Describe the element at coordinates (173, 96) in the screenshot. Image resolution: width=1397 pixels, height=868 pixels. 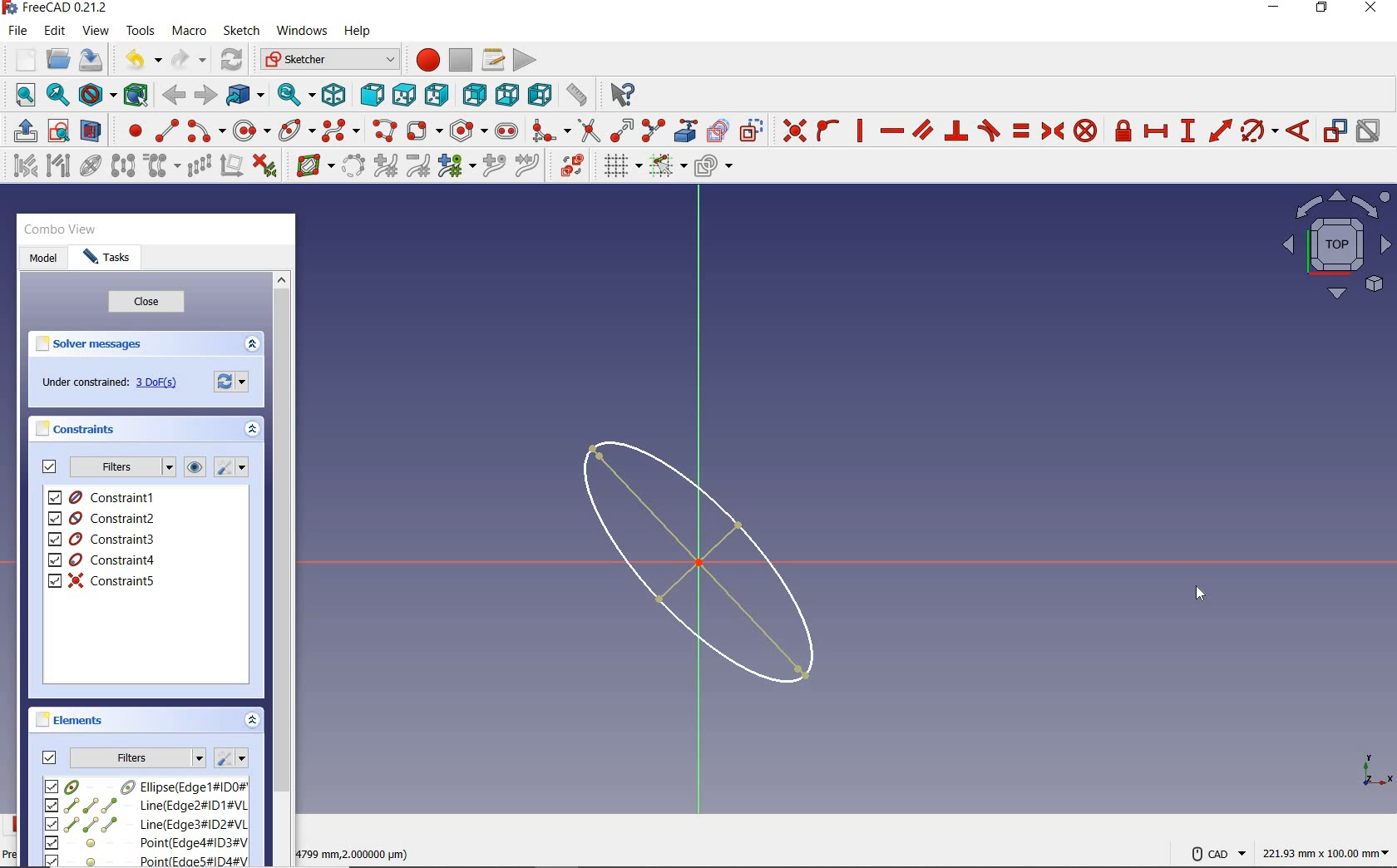
I see `back` at that location.